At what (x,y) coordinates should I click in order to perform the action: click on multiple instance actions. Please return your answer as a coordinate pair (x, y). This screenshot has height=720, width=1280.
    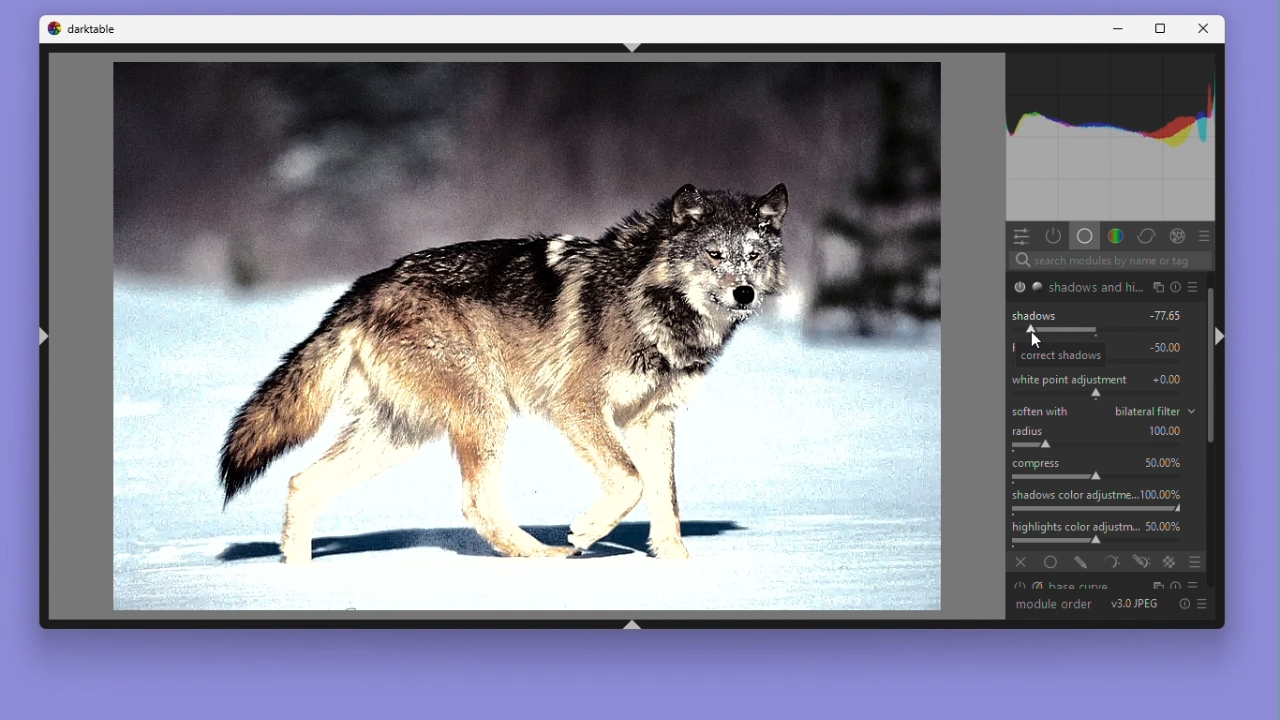
    Looking at the image, I should click on (1157, 288).